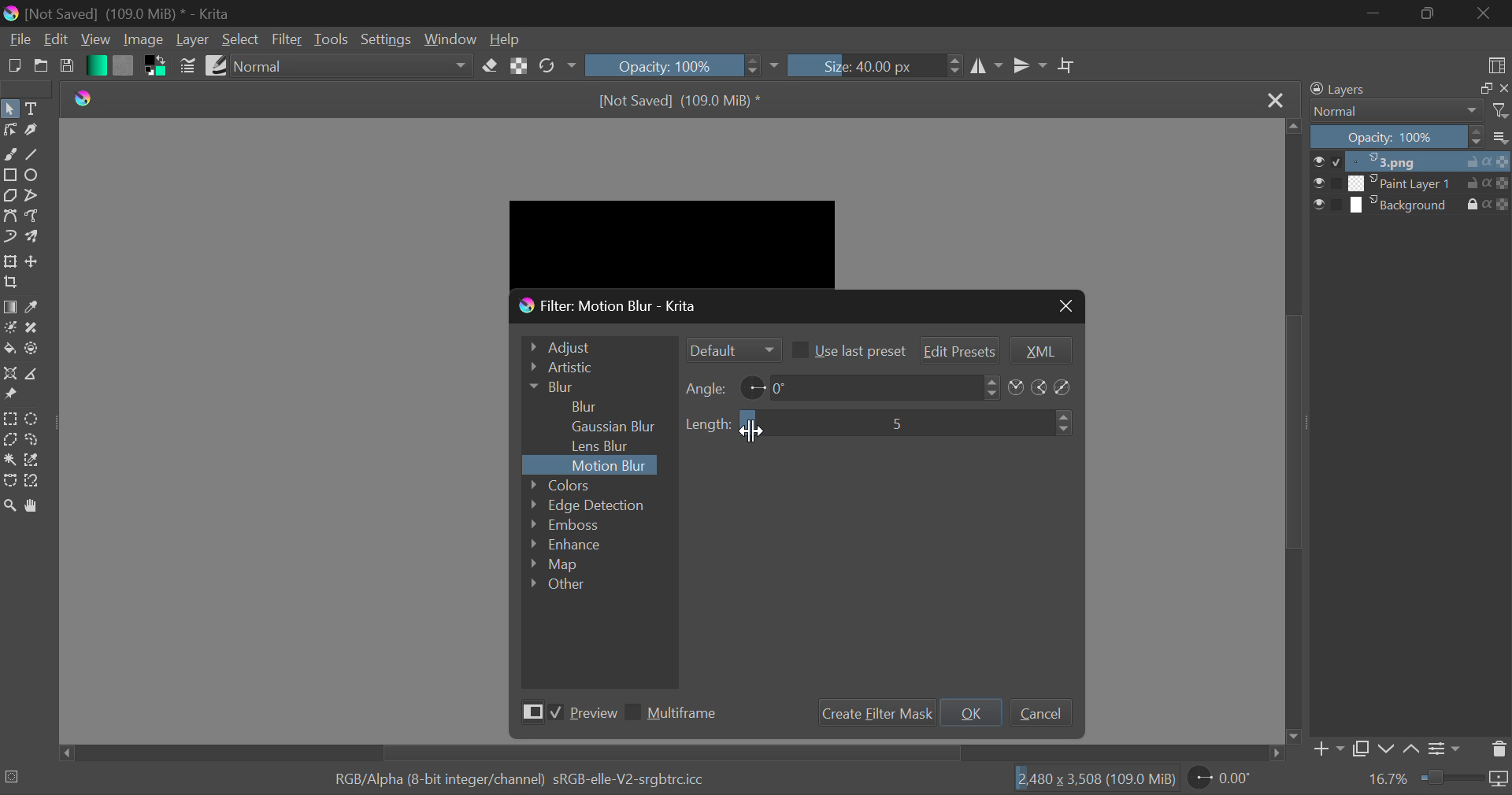 This screenshot has height=795, width=1512. Describe the element at coordinates (9, 374) in the screenshot. I see `Assistant Tool` at that location.